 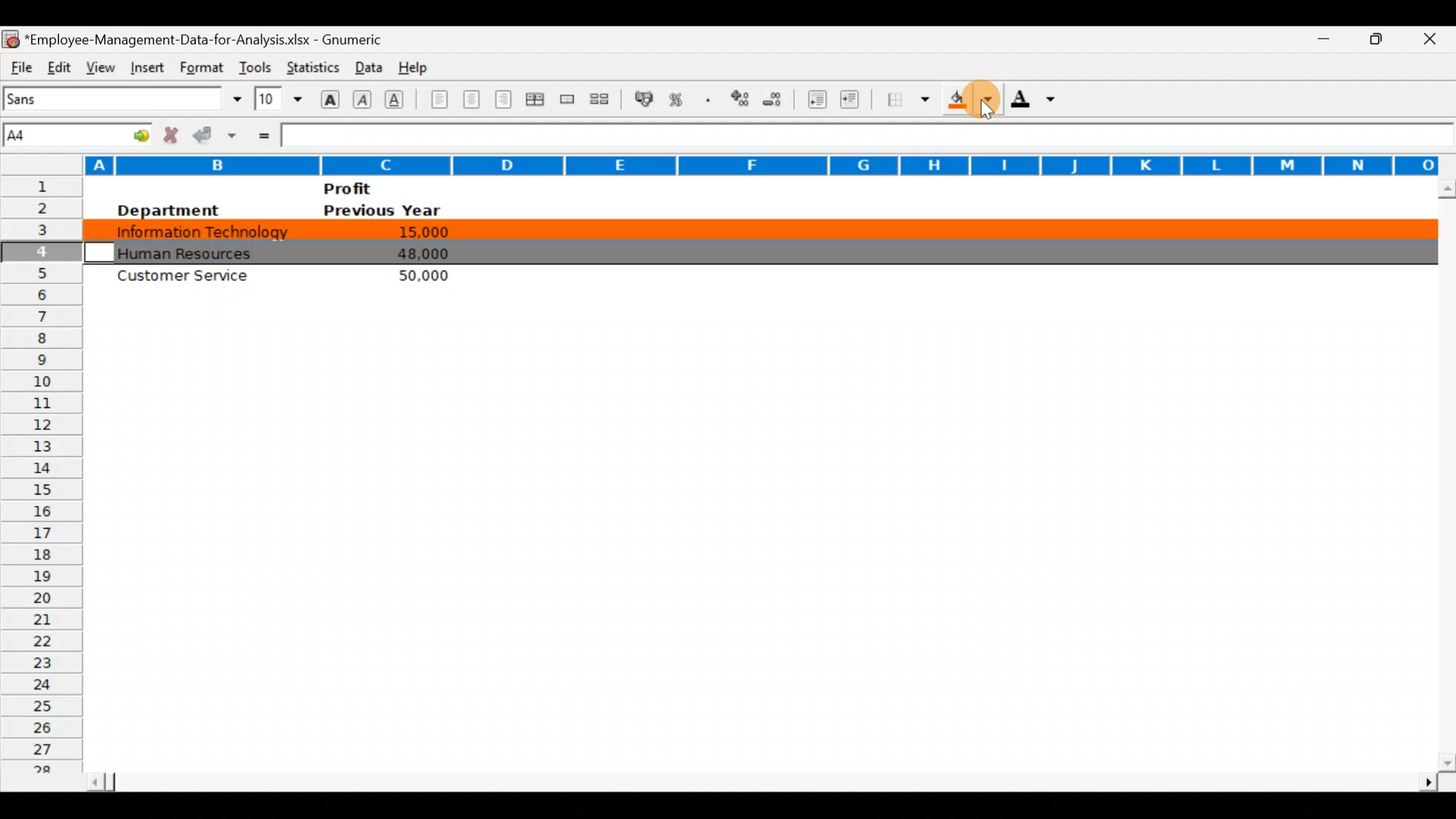 I want to click on Include a thousands operator, so click(x=711, y=101).